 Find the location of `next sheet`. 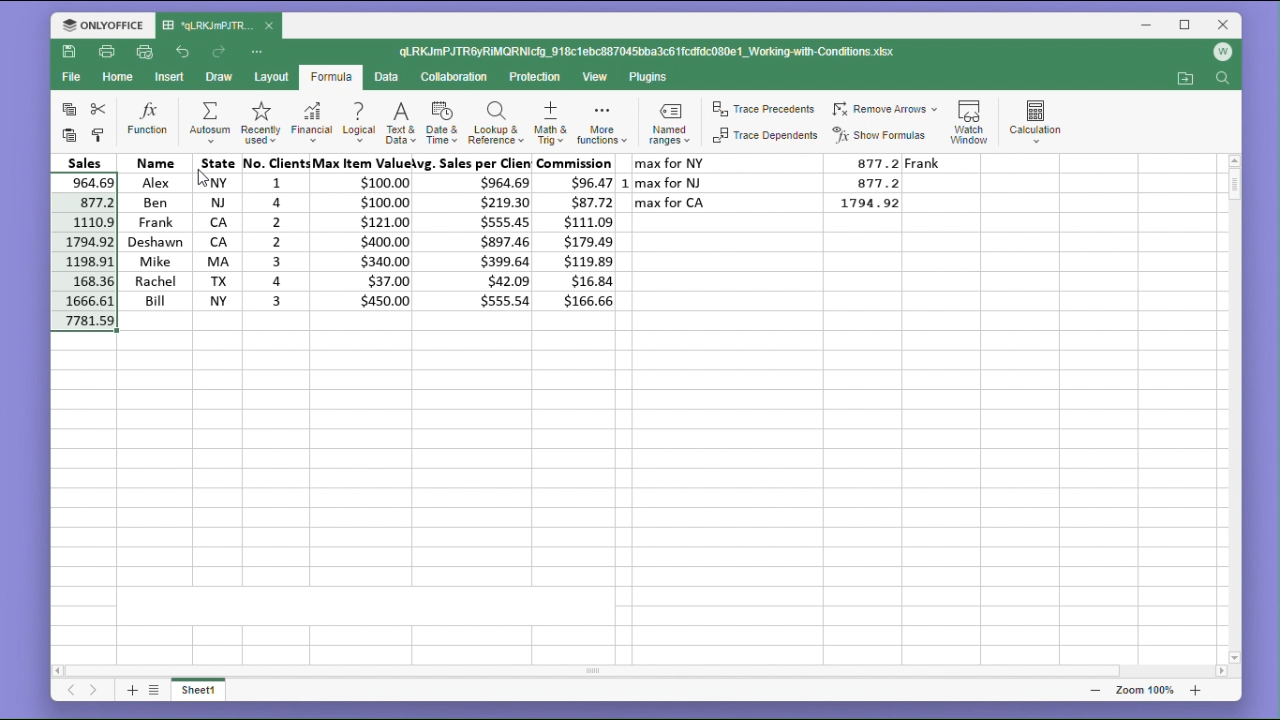

next sheet is located at coordinates (93, 692).